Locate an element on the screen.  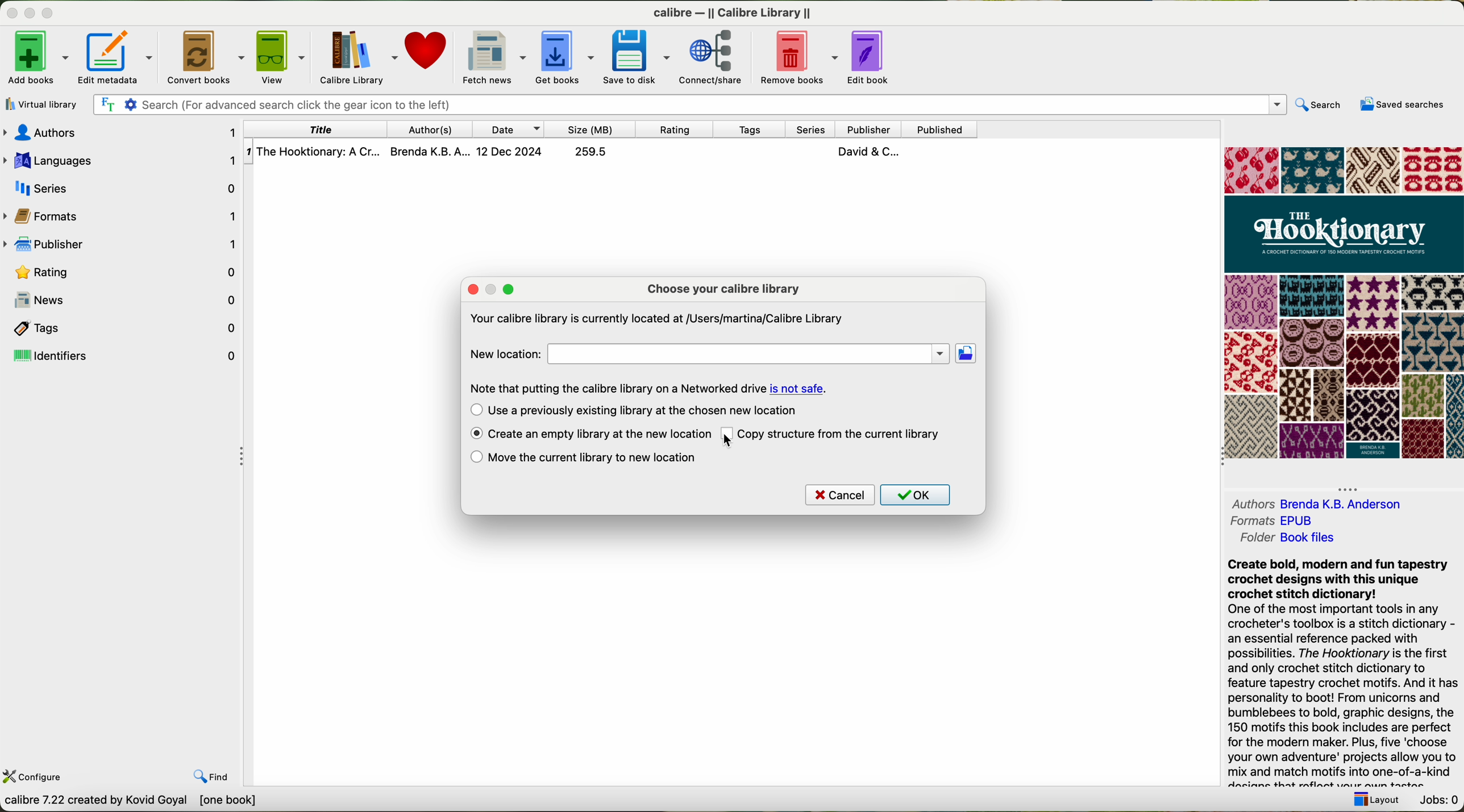
identifiers is located at coordinates (121, 357).